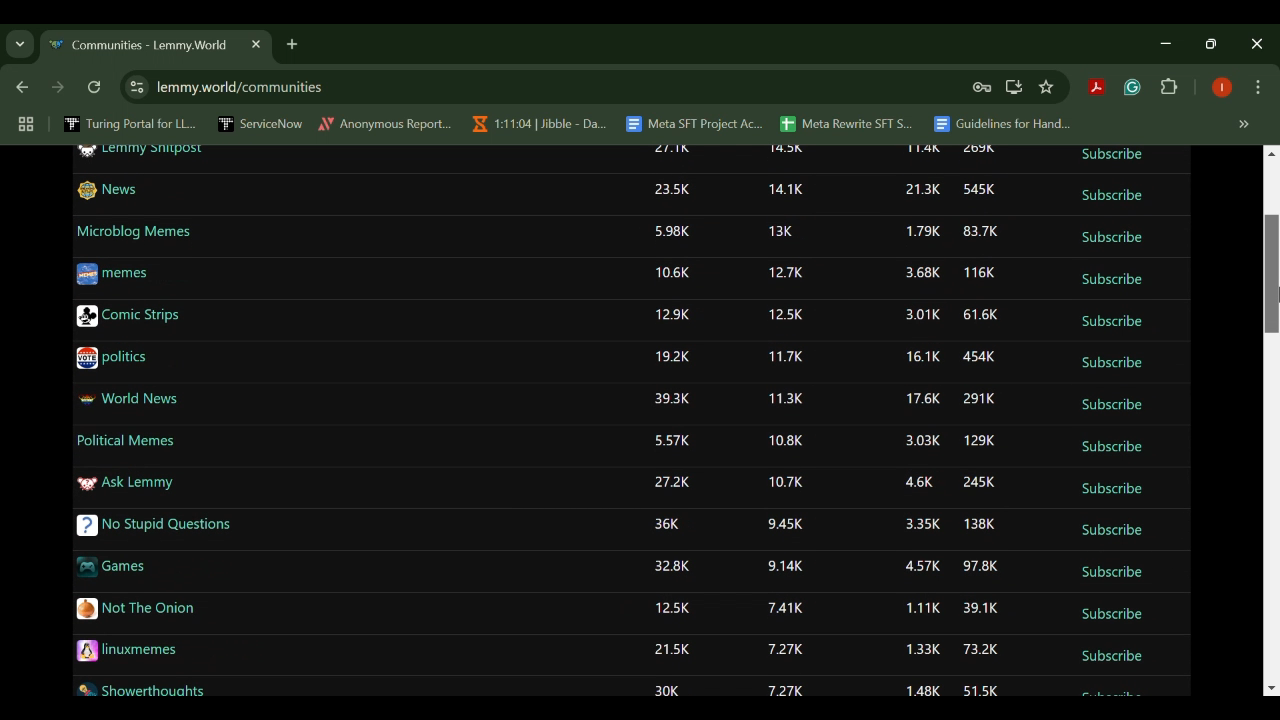  Describe the element at coordinates (678, 611) in the screenshot. I see `12.5K` at that location.